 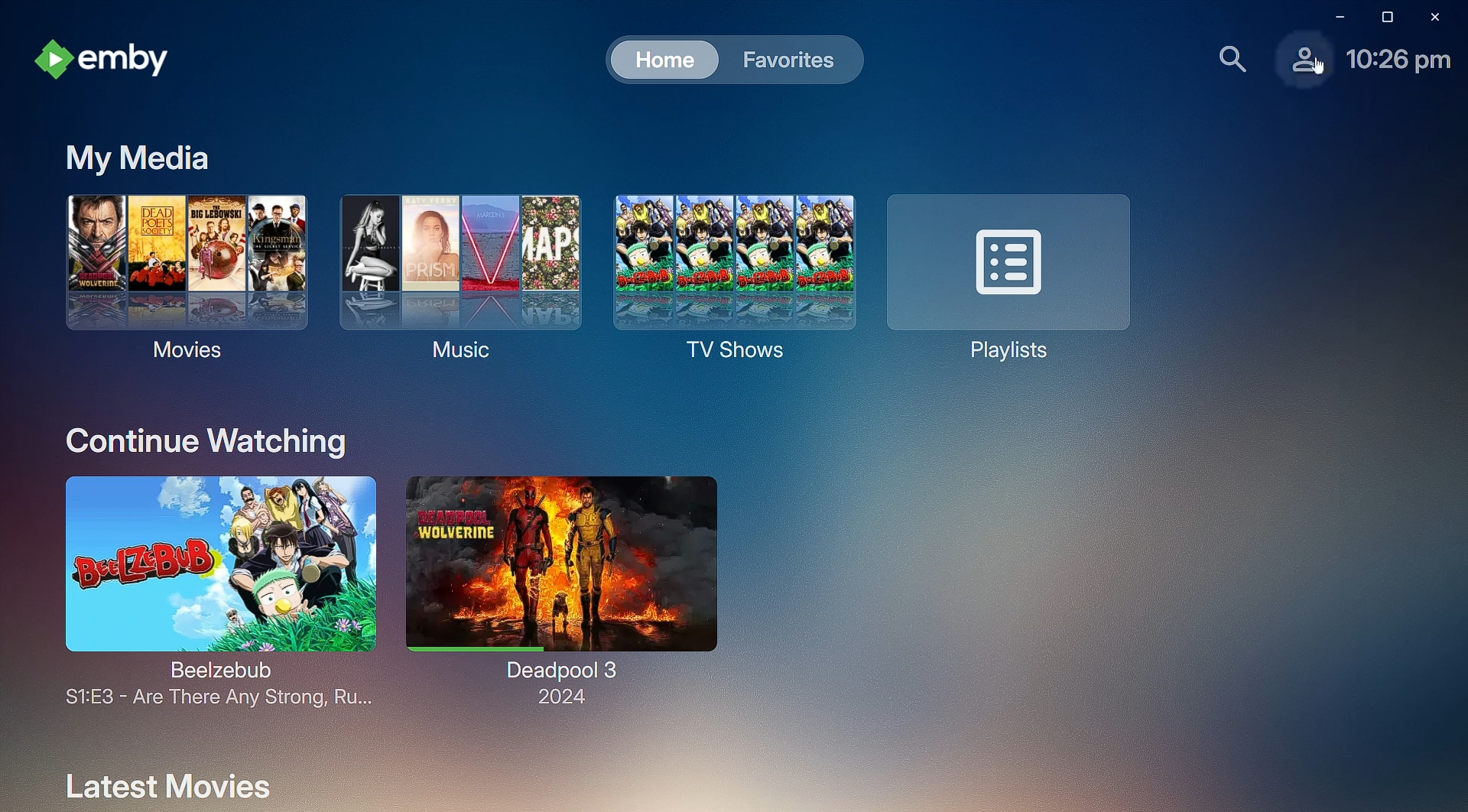 I want to click on Restore, so click(x=1384, y=17).